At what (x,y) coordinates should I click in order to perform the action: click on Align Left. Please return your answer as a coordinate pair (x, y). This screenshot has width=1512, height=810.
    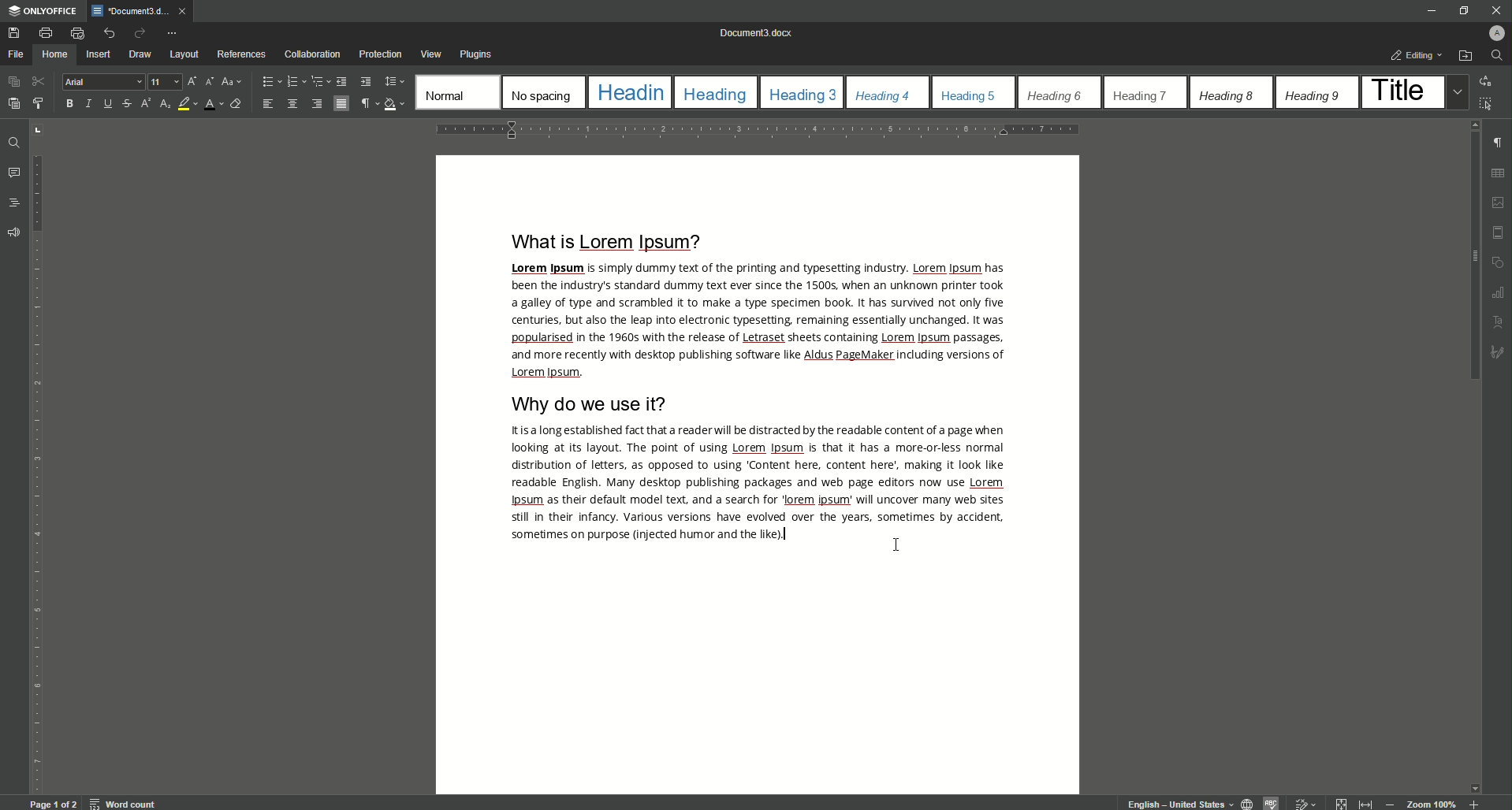
    Looking at the image, I should click on (268, 105).